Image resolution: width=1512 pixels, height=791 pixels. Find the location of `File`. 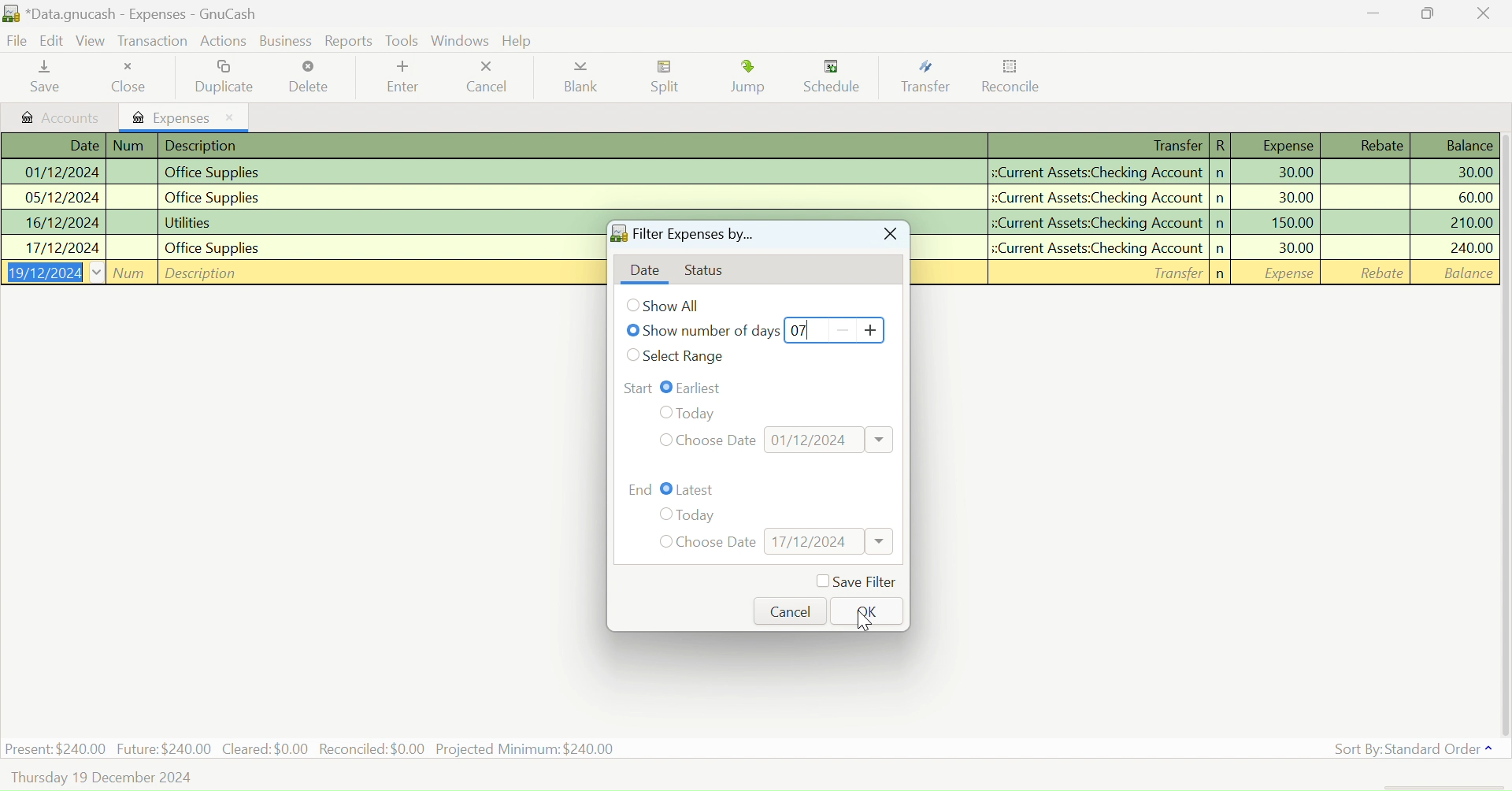

File is located at coordinates (16, 43).